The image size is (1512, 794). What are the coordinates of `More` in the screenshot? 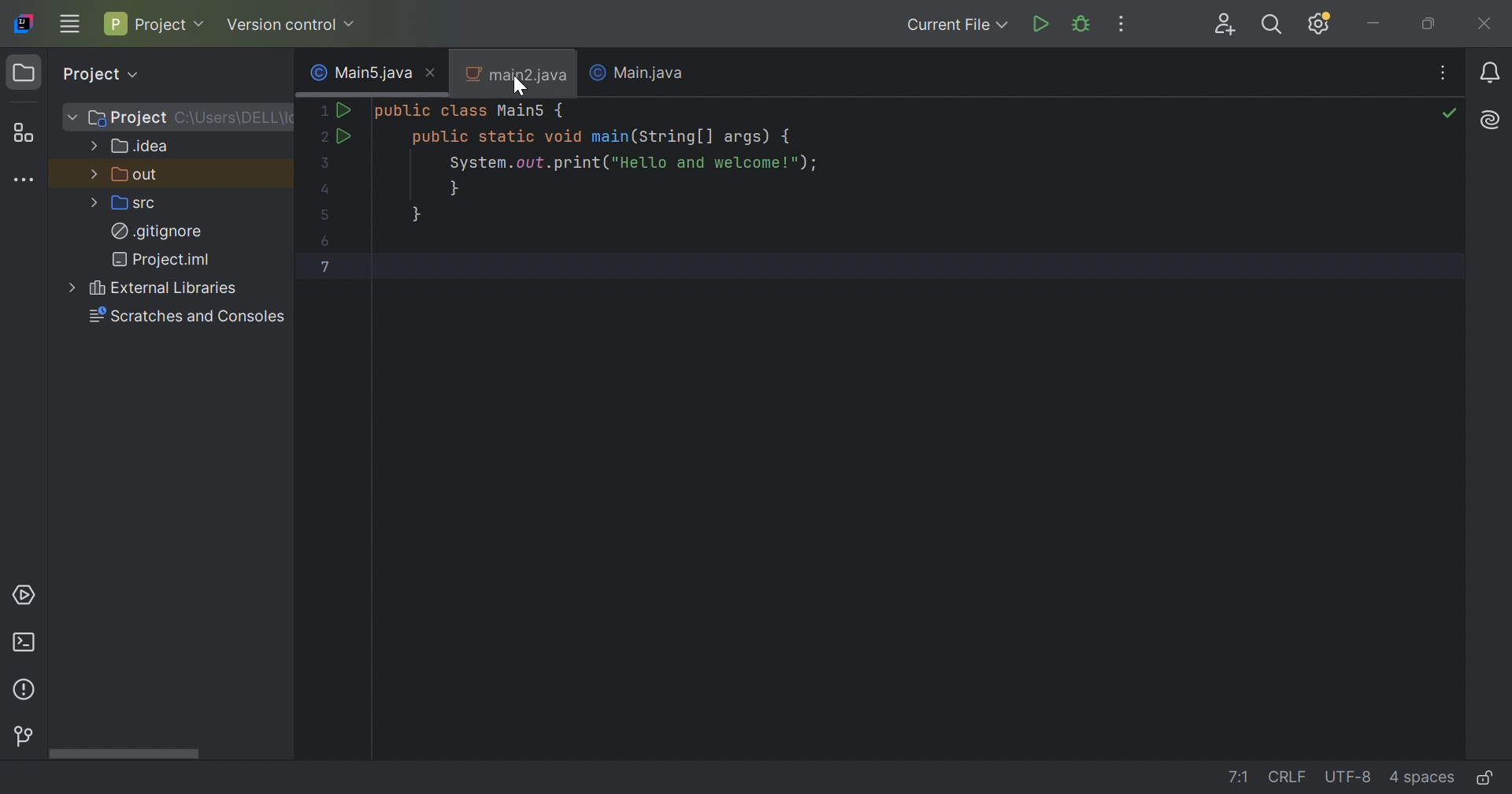 It's located at (94, 173).